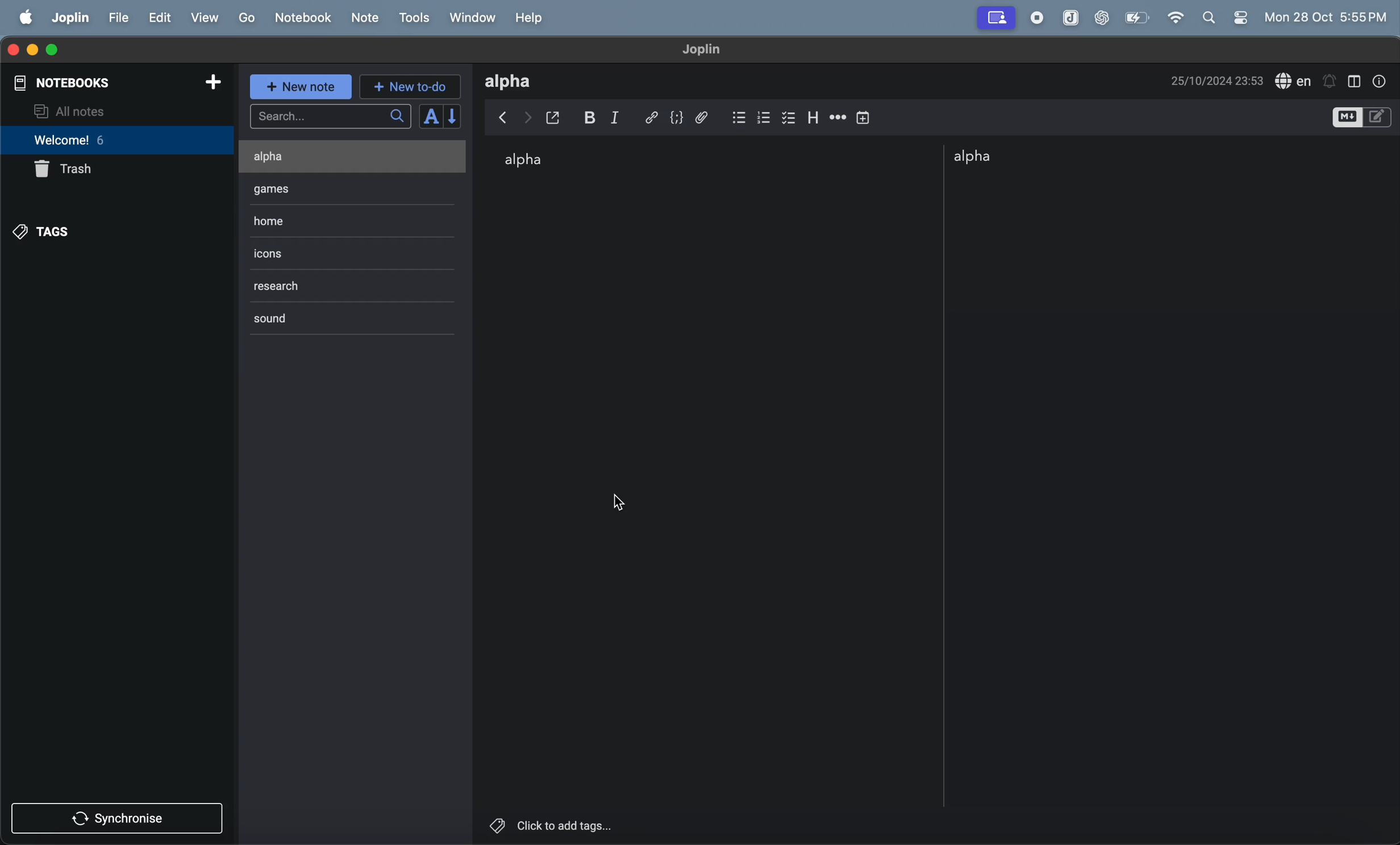  I want to click on edit, so click(161, 18).